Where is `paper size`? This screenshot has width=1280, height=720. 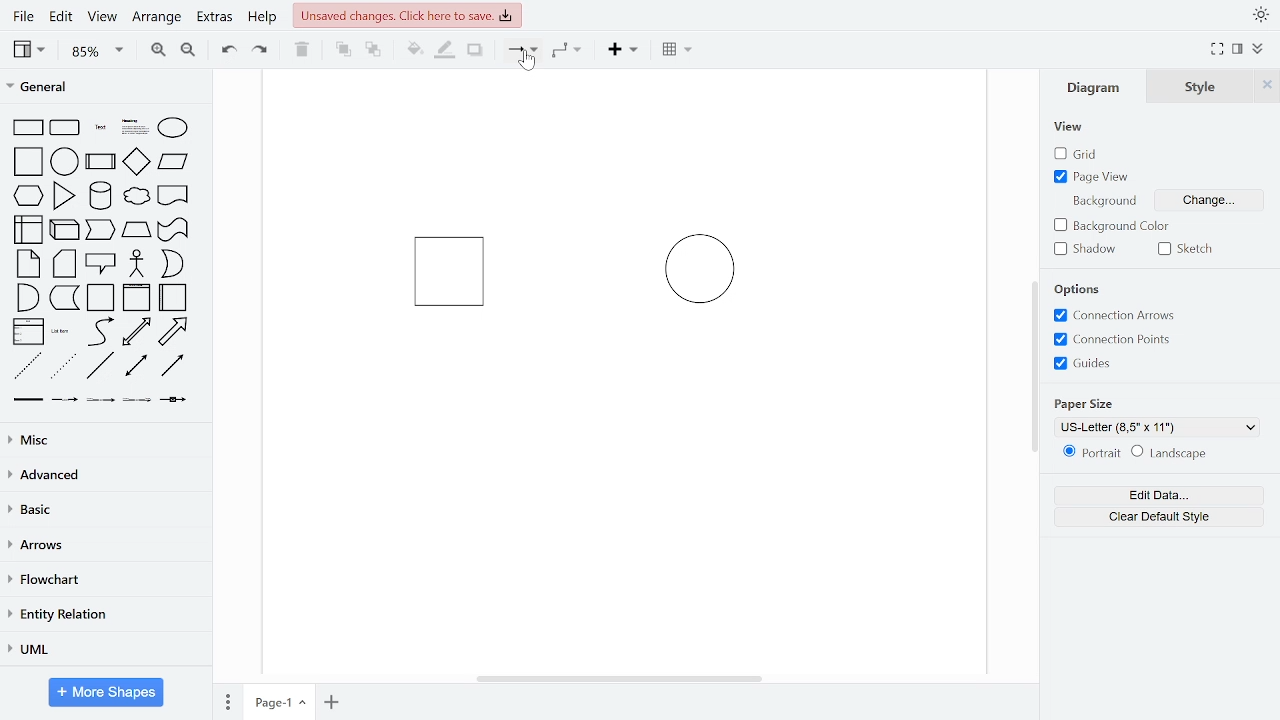
paper size is located at coordinates (1086, 402).